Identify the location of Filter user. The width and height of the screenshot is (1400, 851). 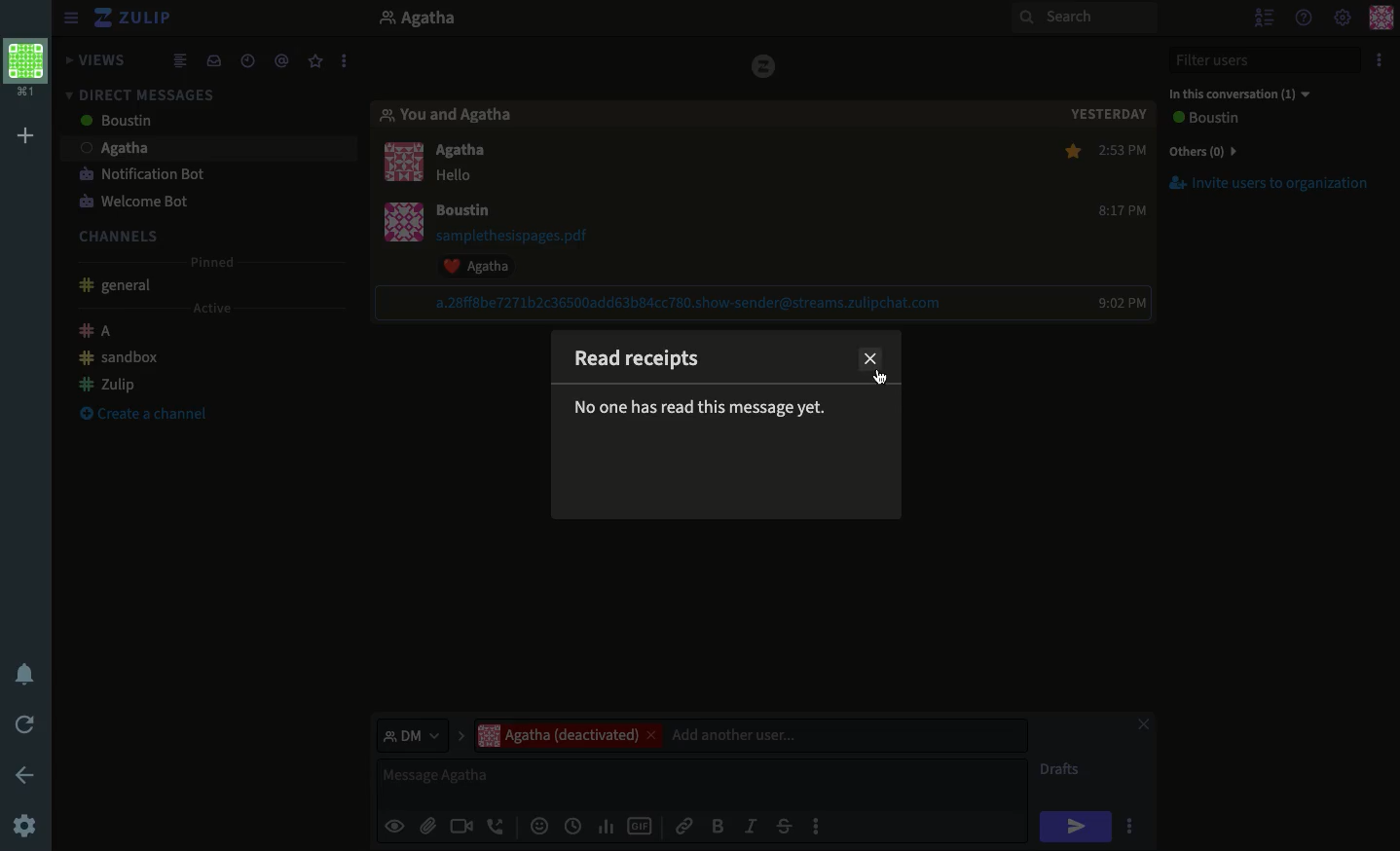
(1269, 60).